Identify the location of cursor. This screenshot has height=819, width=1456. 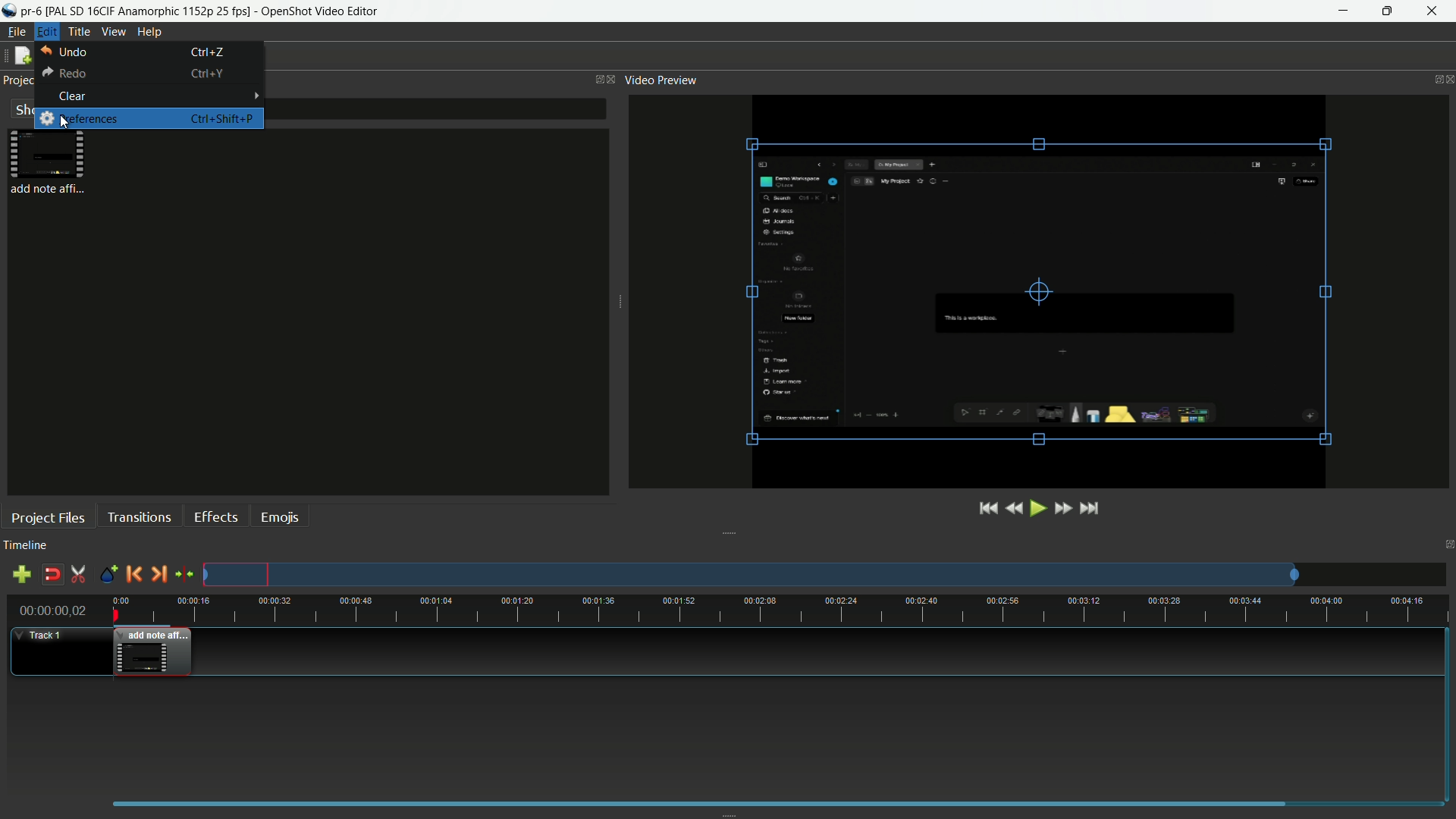
(61, 121).